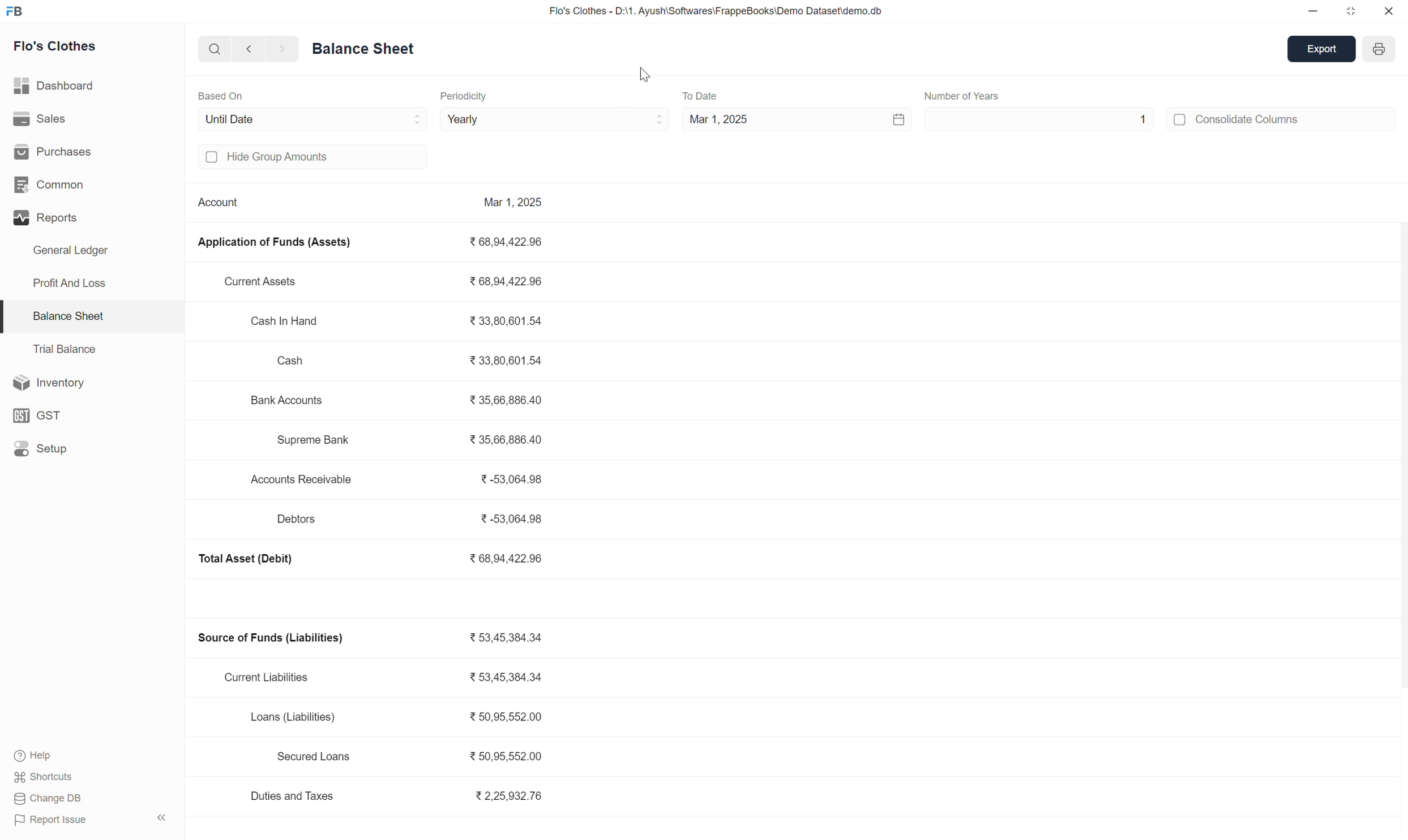  Describe the element at coordinates (1350, 11) in the screenshot. I see `maximize` at that location.